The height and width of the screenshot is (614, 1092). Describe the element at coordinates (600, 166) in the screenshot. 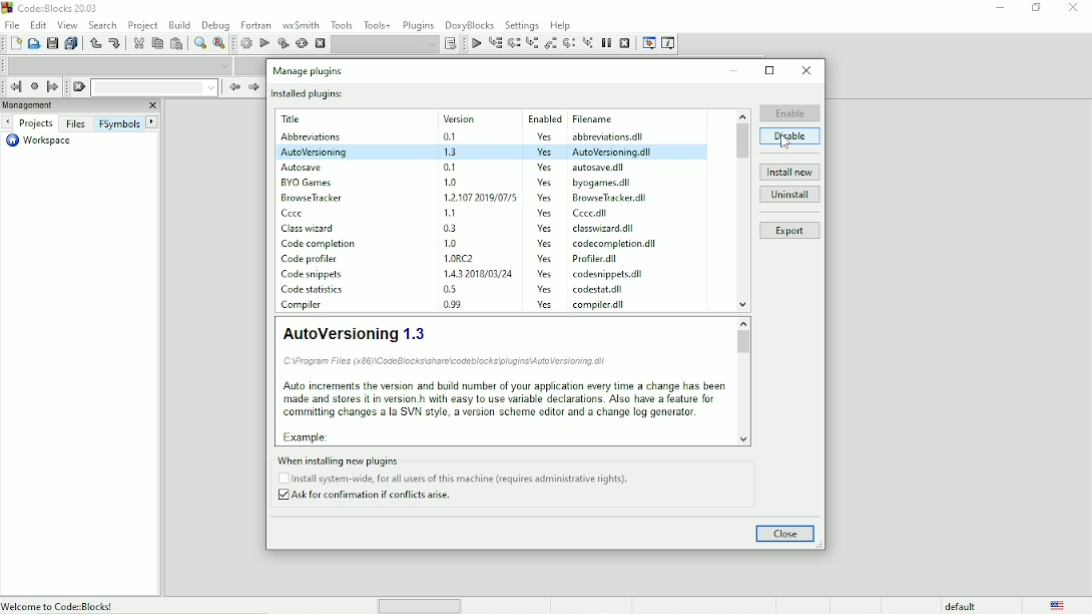

I see `autosave.dll` at that location.